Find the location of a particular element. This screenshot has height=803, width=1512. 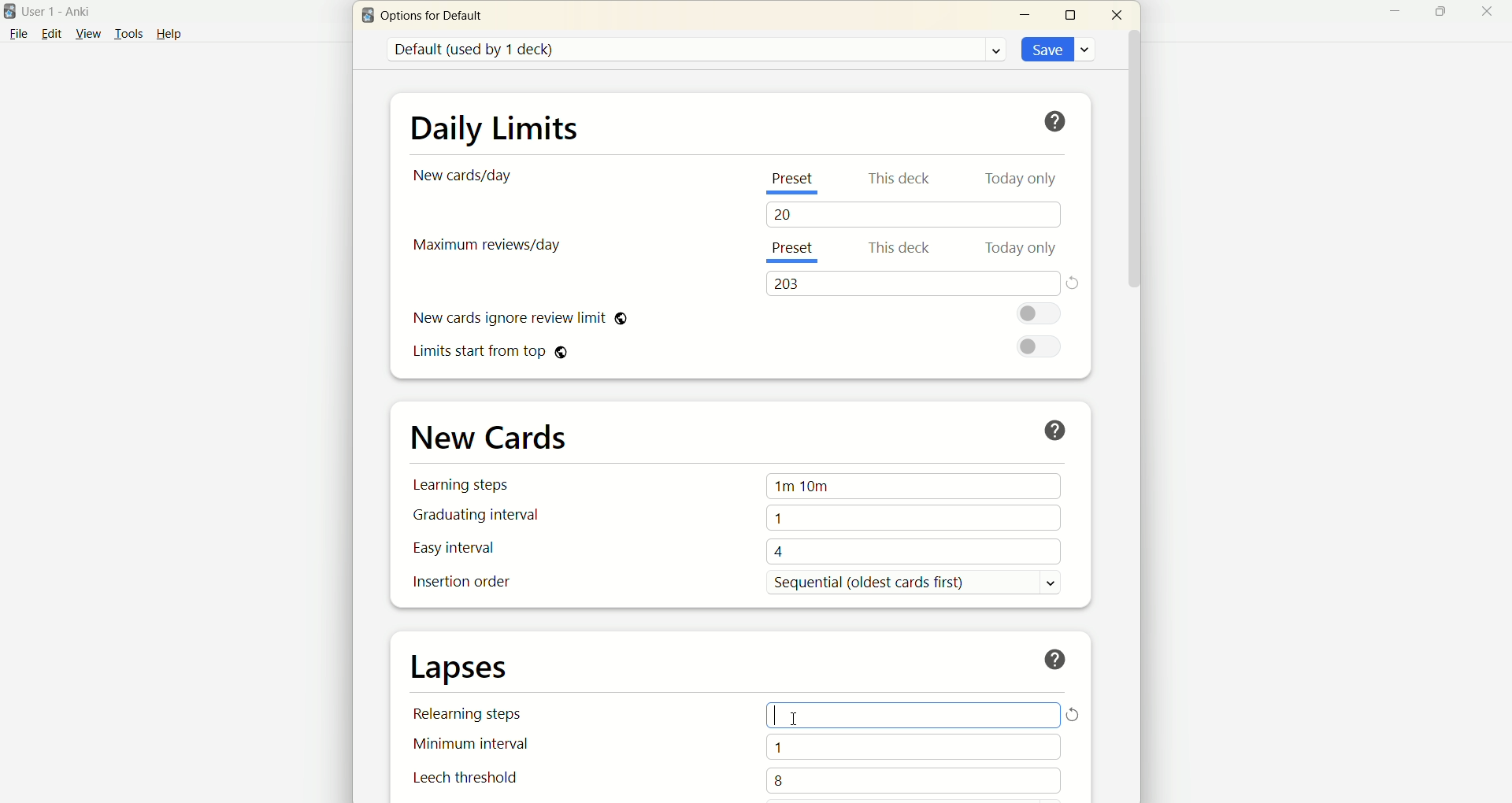

User1-Anki is located at coordinates (67, 11).